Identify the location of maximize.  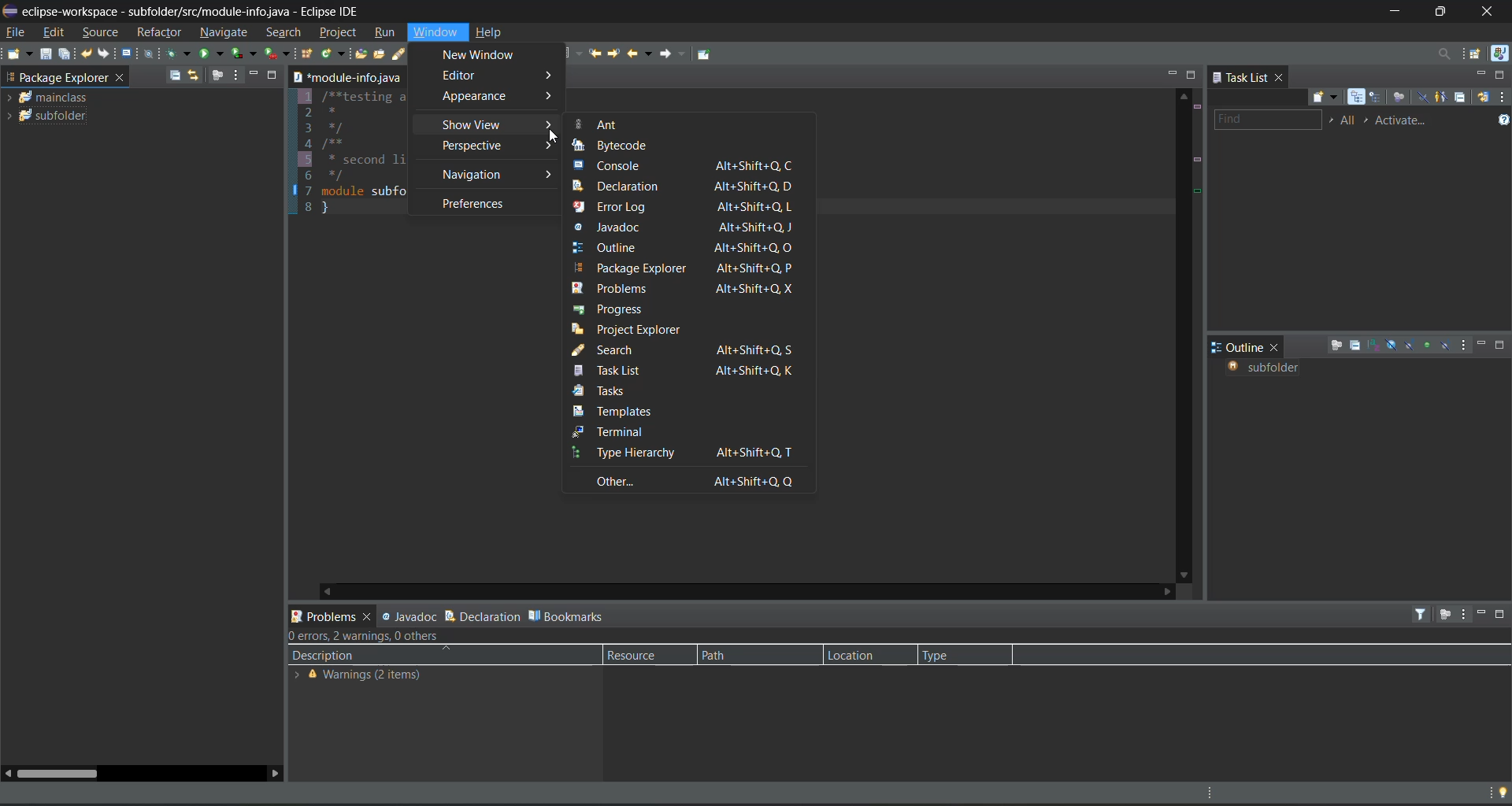
(1193, 75).